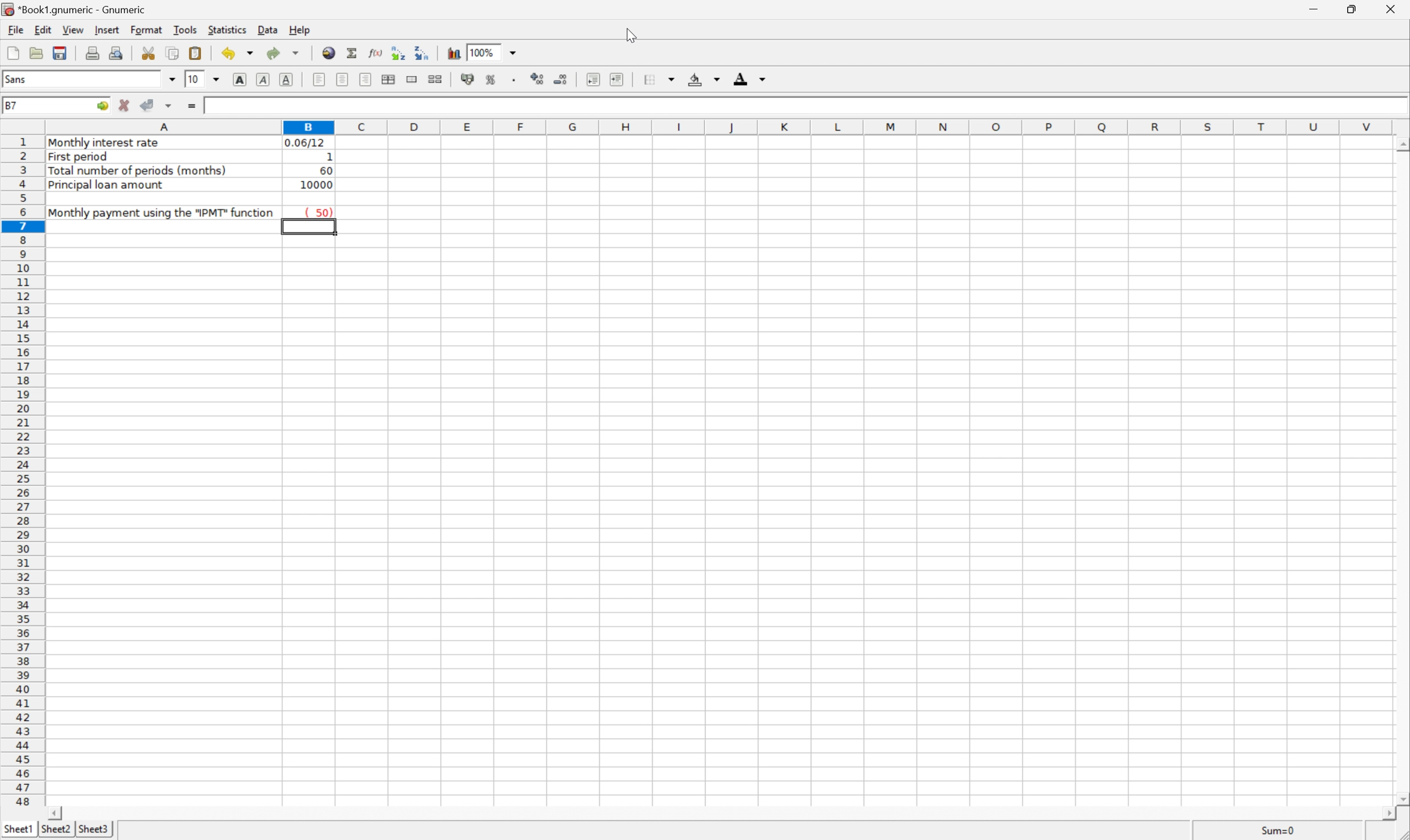 This screenshot has height=840, width=1410. What do you see at coordinates (515, 52) in the screenshot?
I see `Drop Down` at bounding box center [515, 52].